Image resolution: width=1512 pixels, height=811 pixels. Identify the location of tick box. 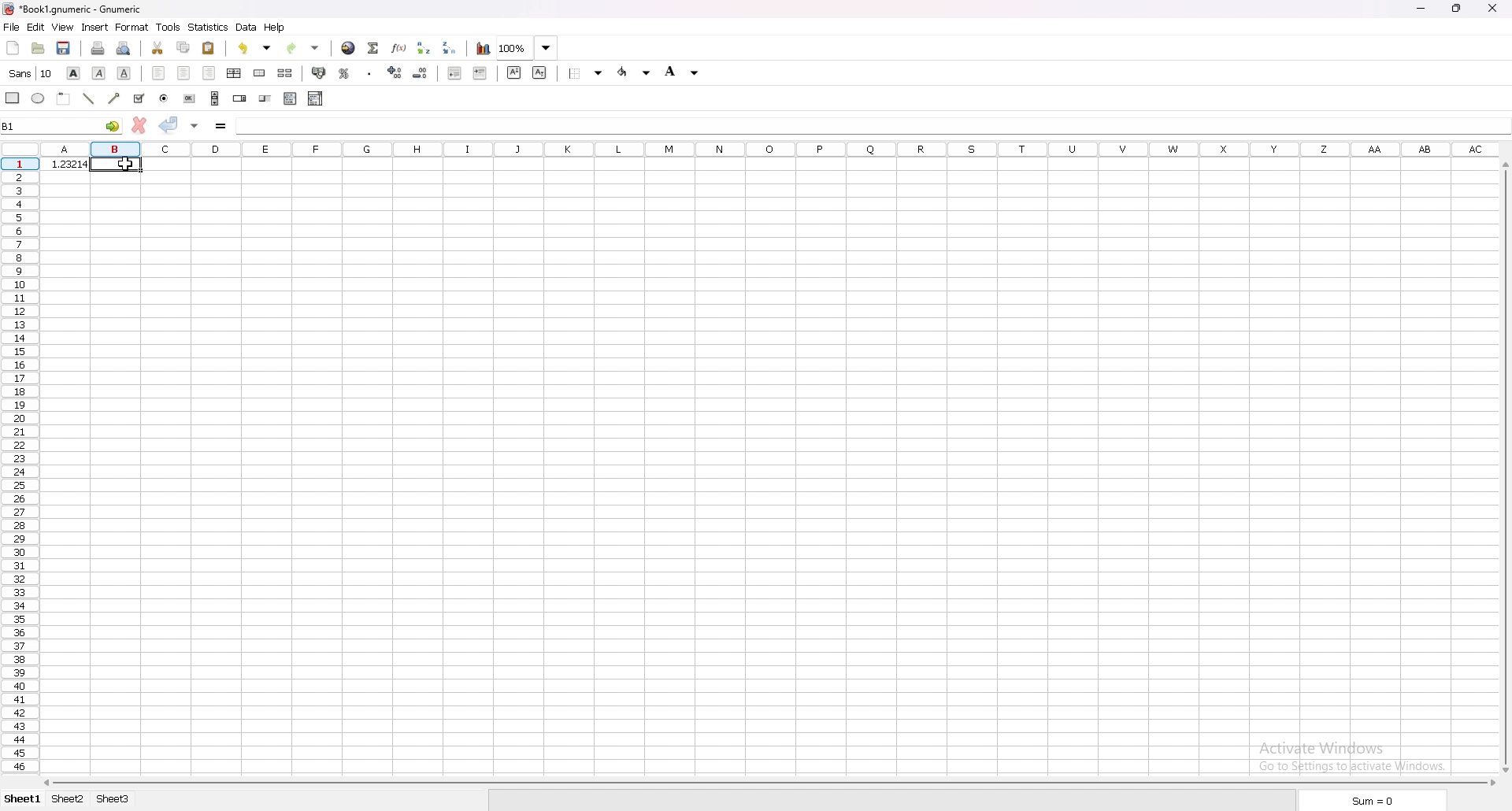
(138, 98).